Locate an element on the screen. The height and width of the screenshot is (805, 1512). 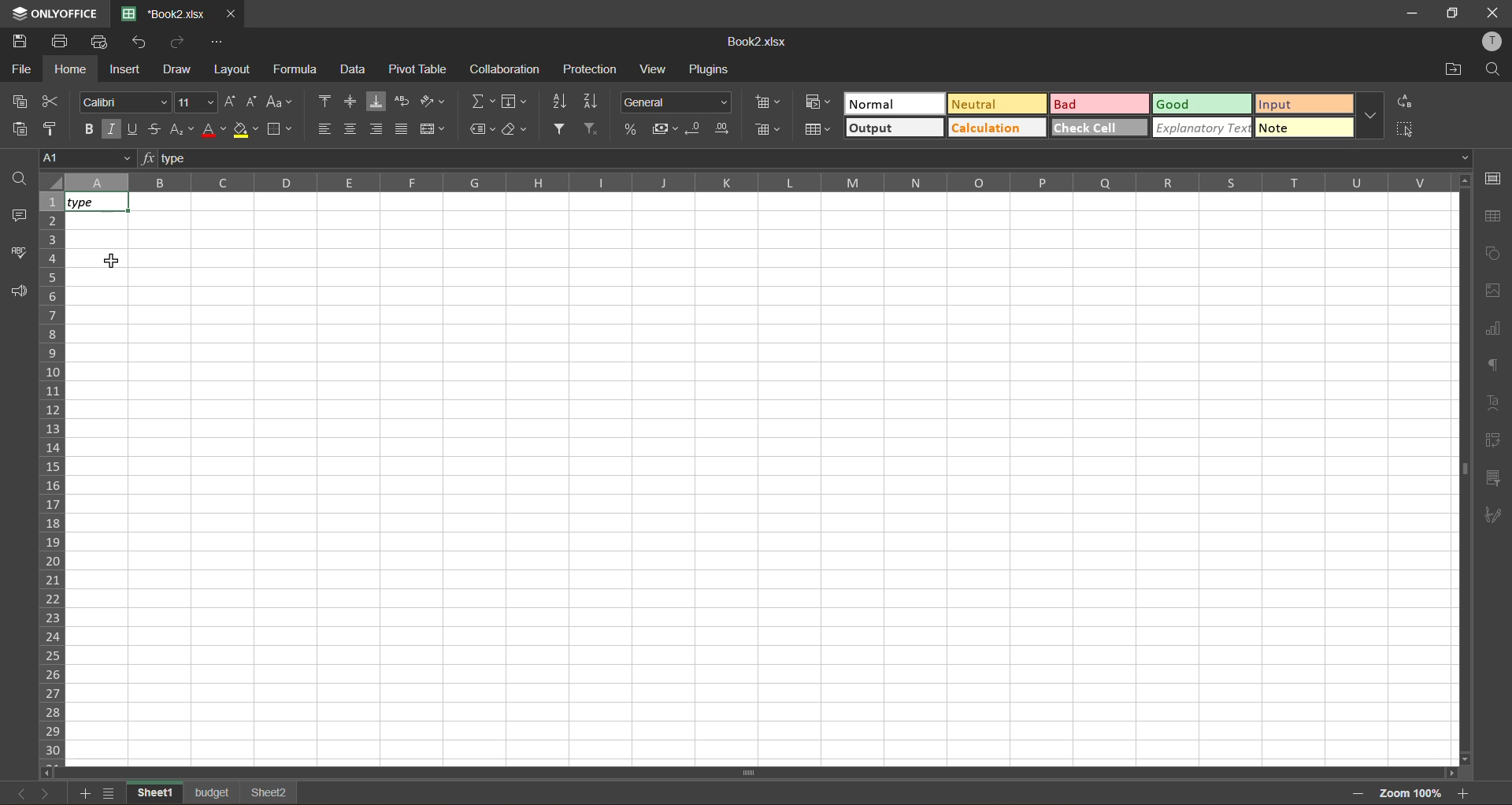
note is located at coordinates (1304, 130).